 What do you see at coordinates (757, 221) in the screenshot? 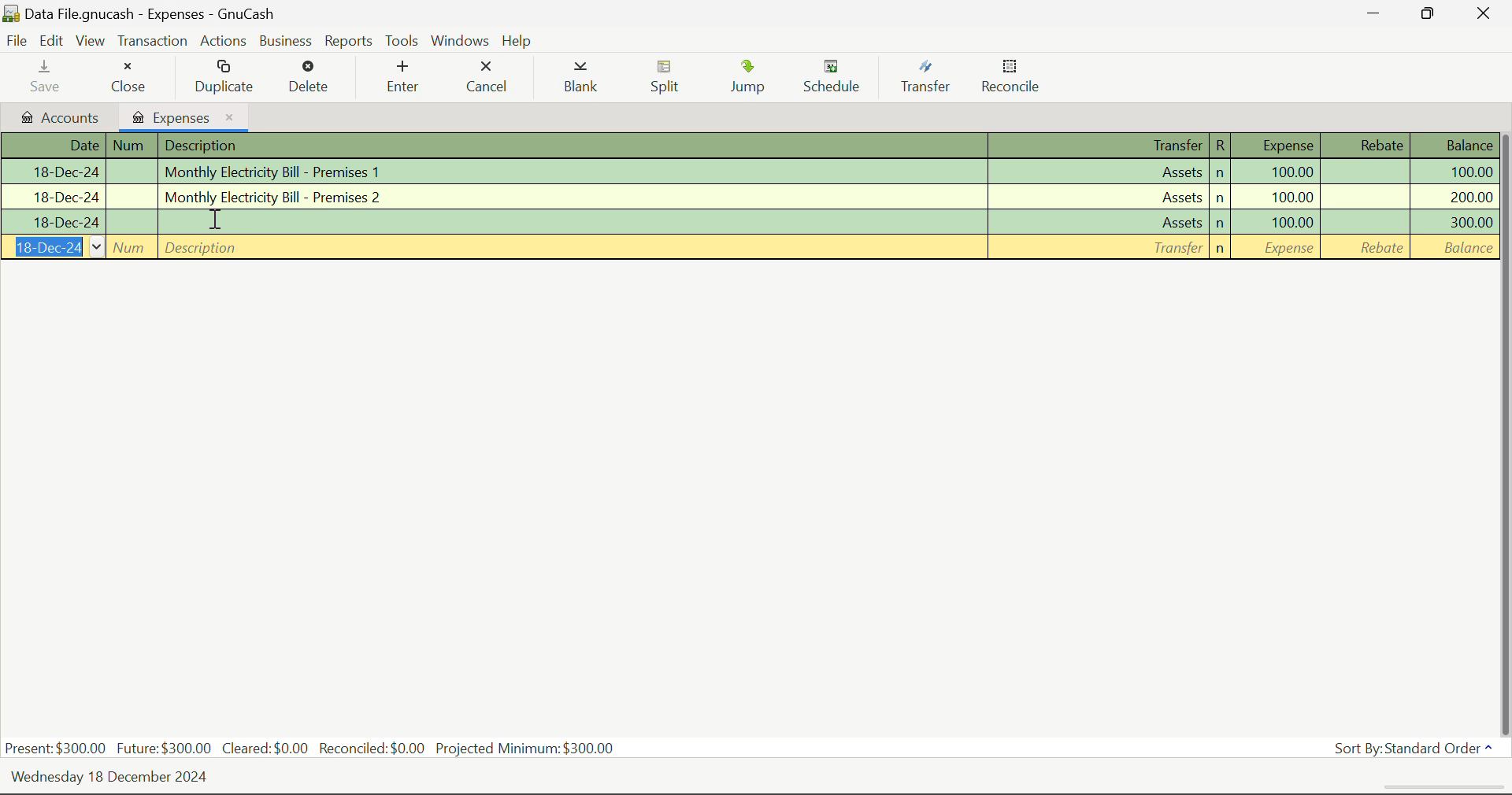
I see `Transaction with no Comments` at bounding box center [757, 221].